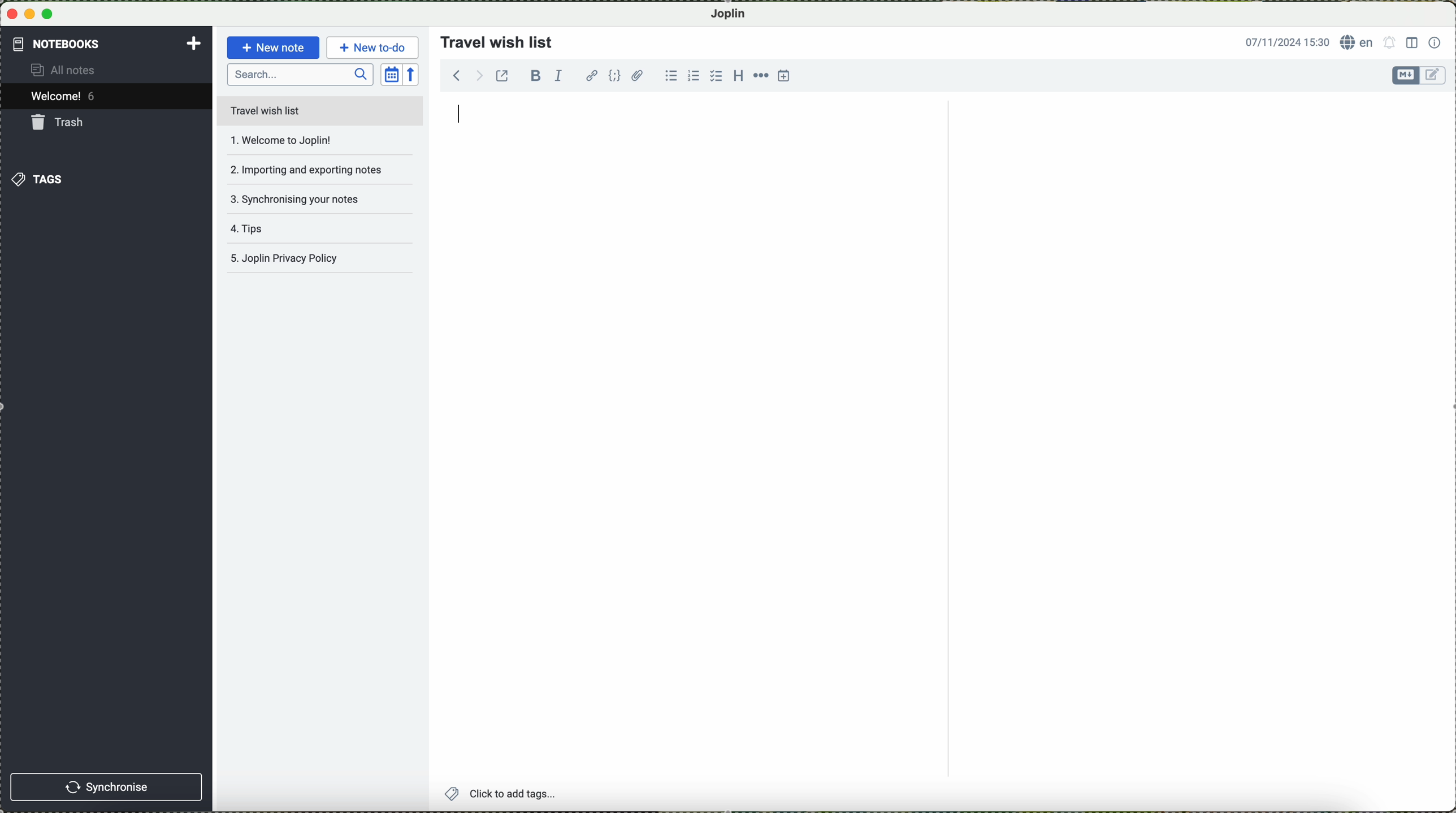  I want to click on tips, so click(298, 233).